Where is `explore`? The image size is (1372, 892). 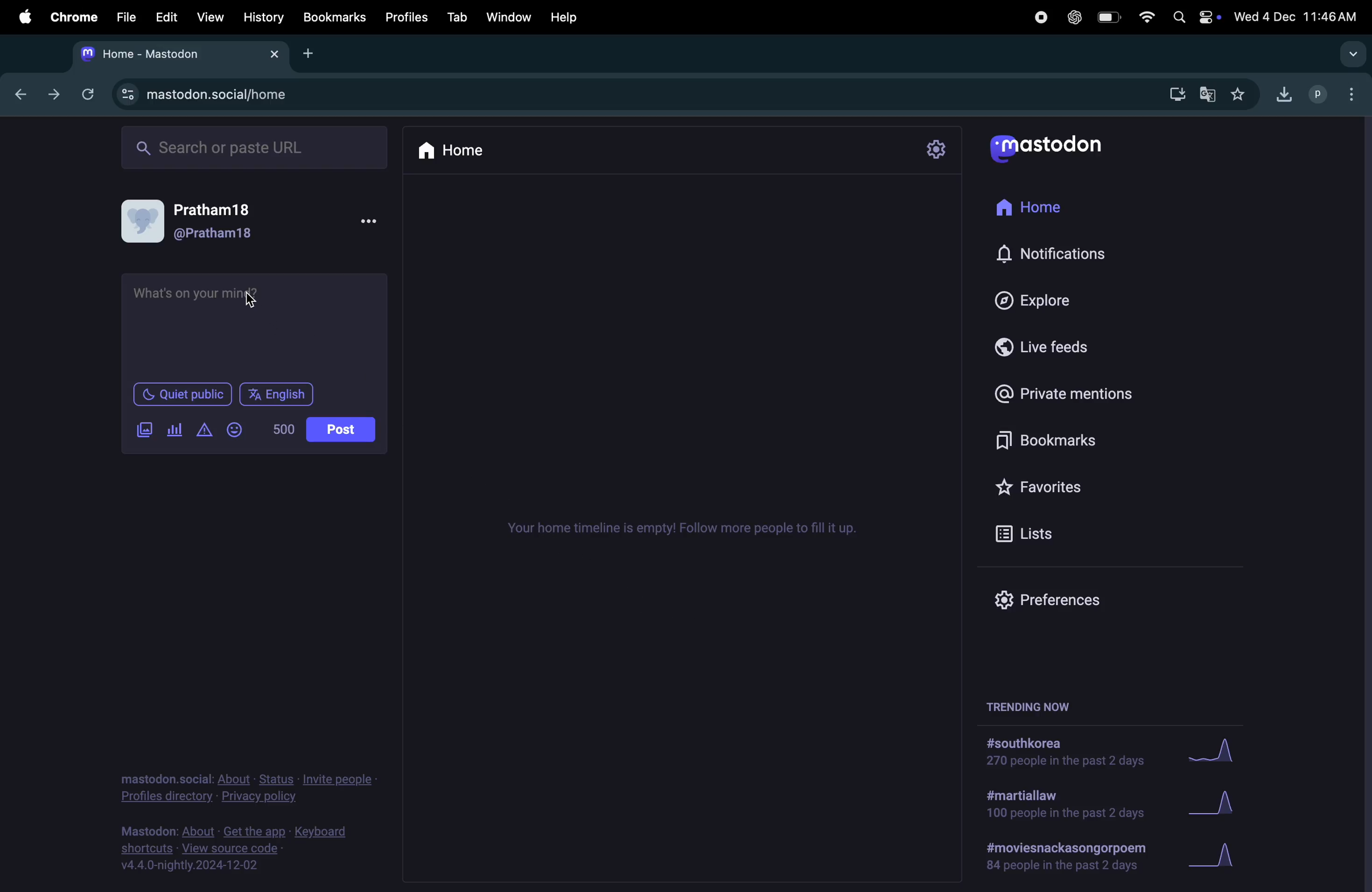 explore is located at coordinates (1037, 302).